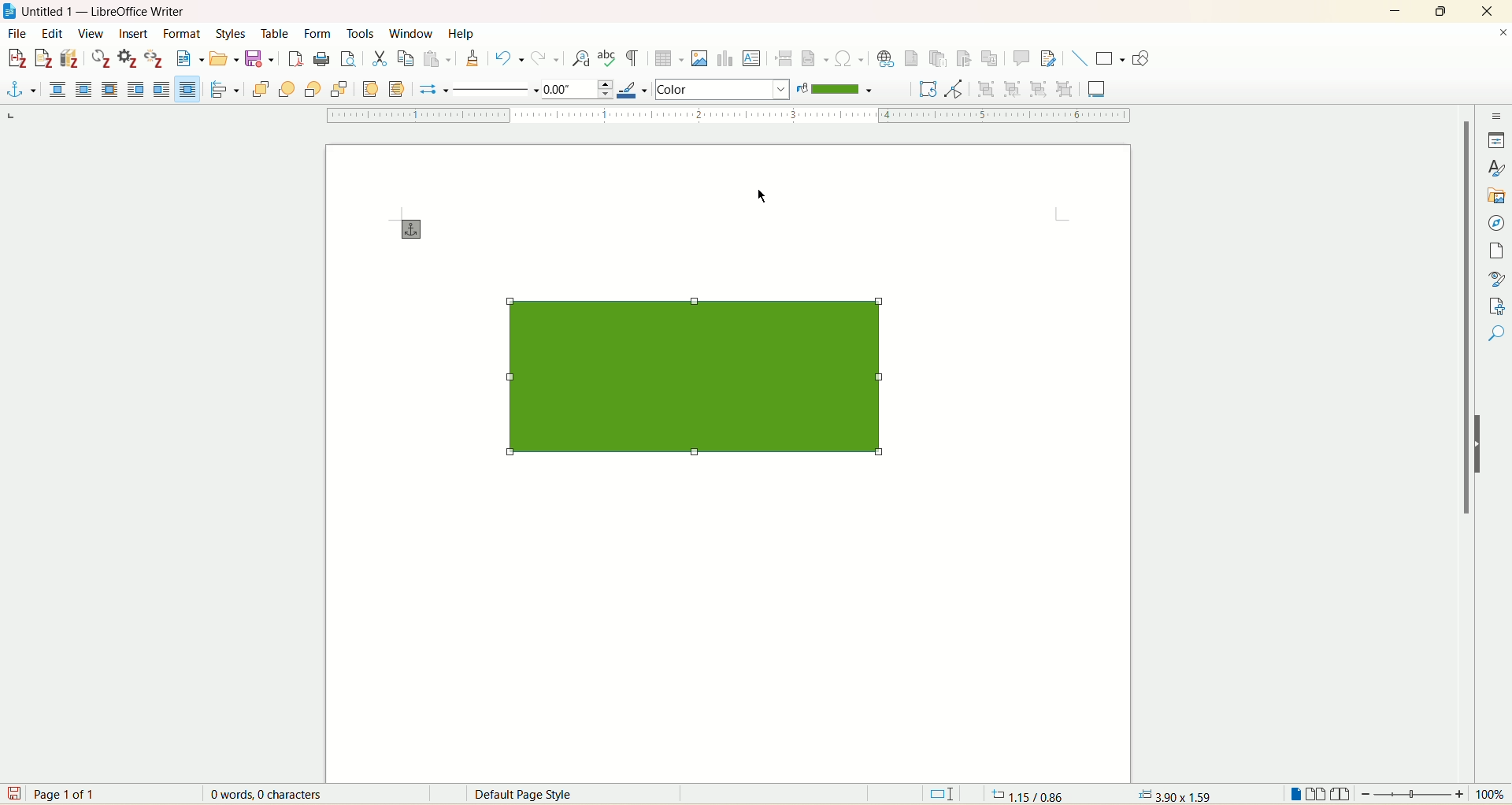 The image size is (1512, 805). Describe the element at coordinates (20, 33) in the screenshot. I see `file` at that location.